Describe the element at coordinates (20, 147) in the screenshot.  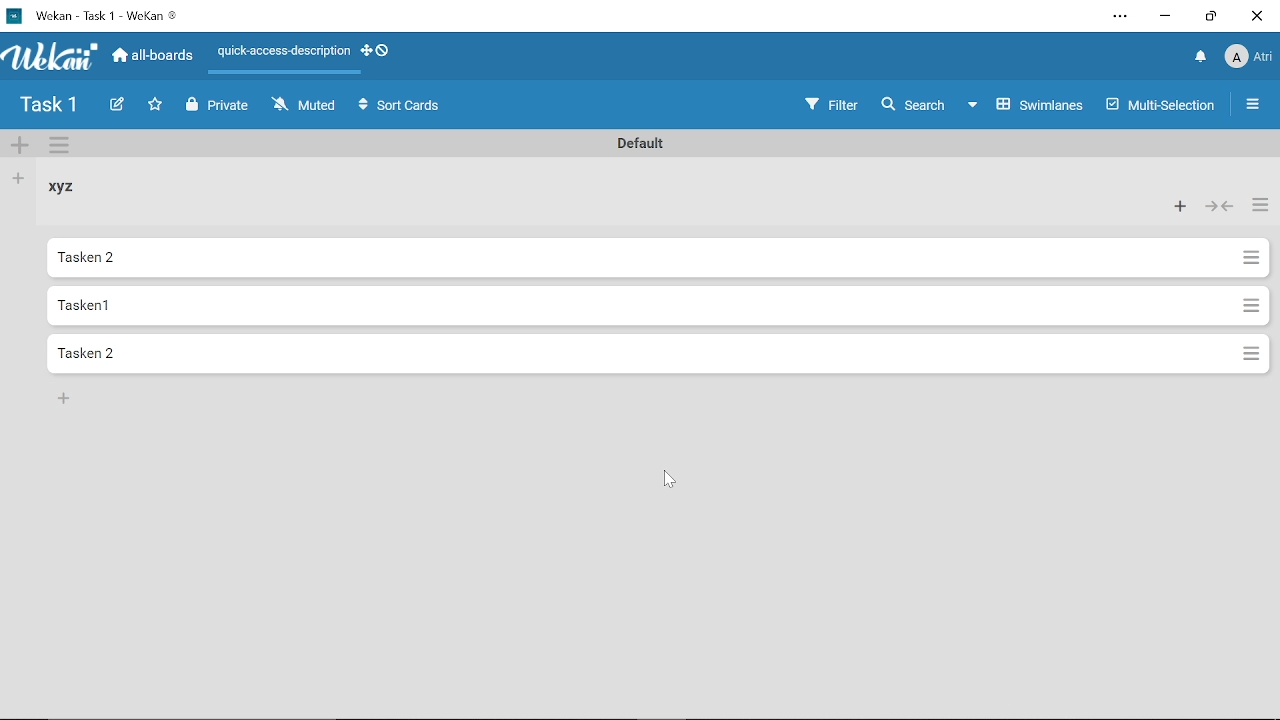
I see `Add swimlane` at that location.